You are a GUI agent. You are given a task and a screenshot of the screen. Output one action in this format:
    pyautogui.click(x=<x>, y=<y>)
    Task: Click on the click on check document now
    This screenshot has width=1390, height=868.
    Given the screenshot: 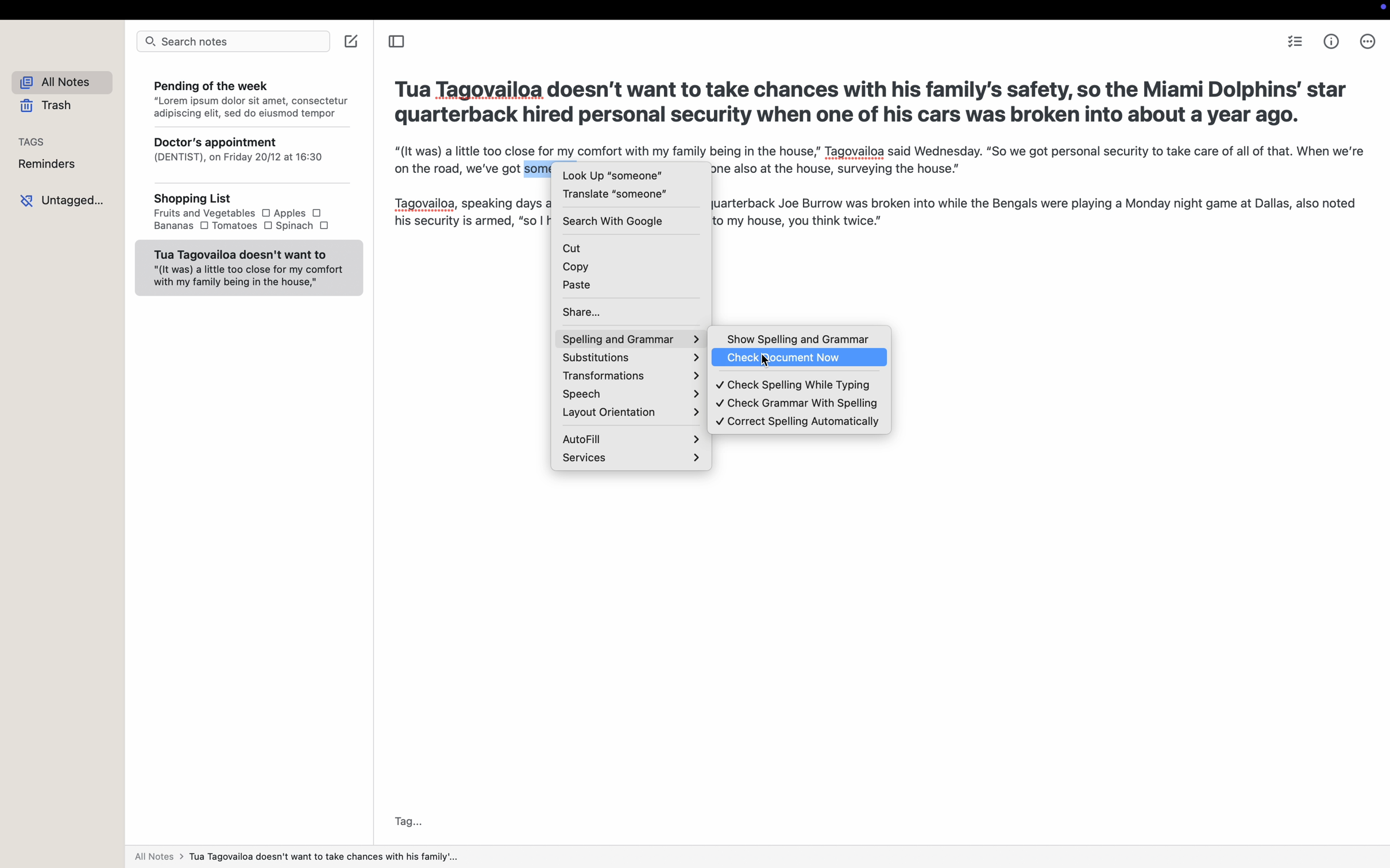 What is the action you would take?
    pyautogui.click(x=799, y=358)
    